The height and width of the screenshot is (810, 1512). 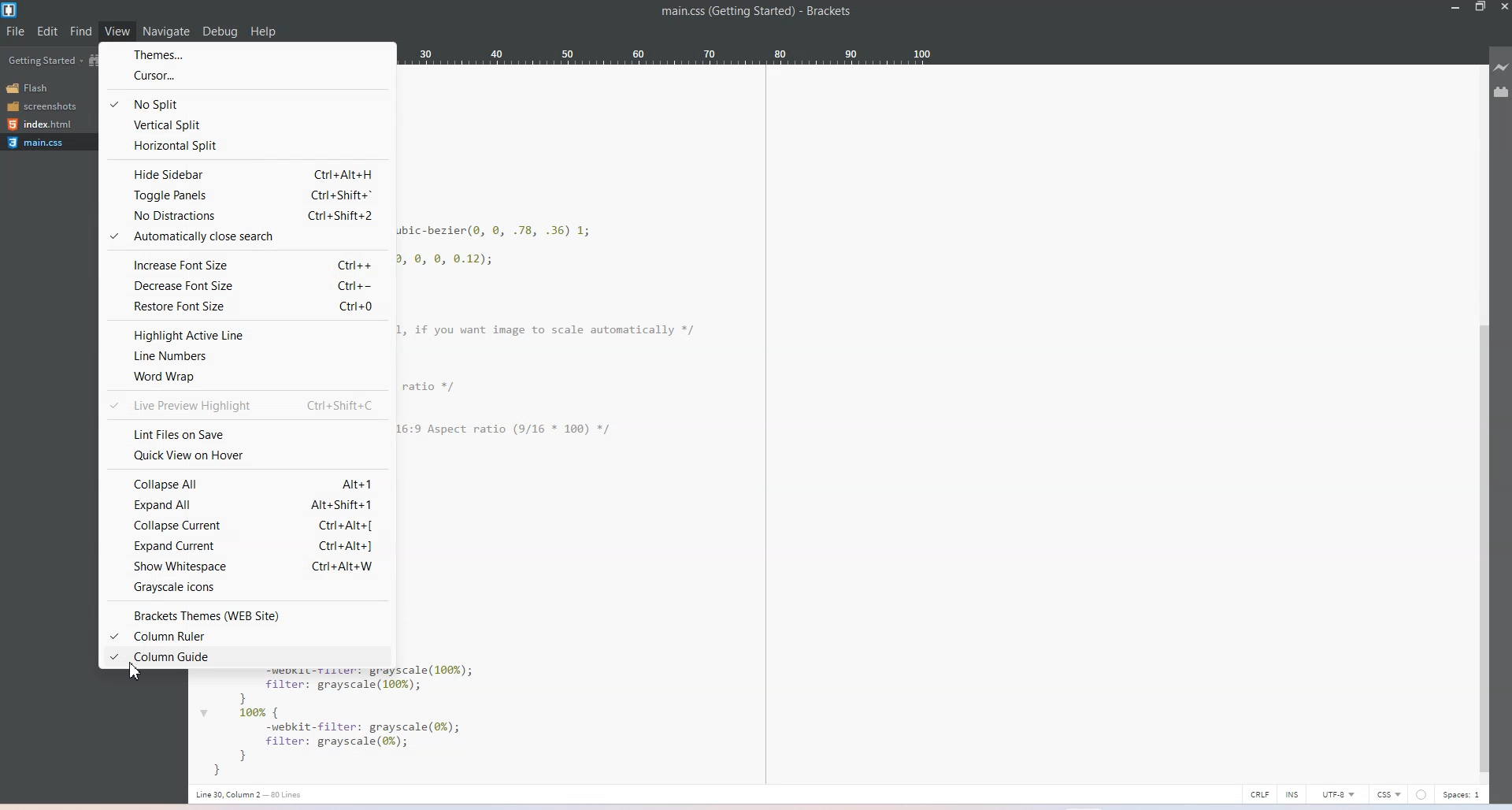 What do you see at coordinates (168, 32) in the screenshot?
I see `Navigate` at bounding box center [168, 32].